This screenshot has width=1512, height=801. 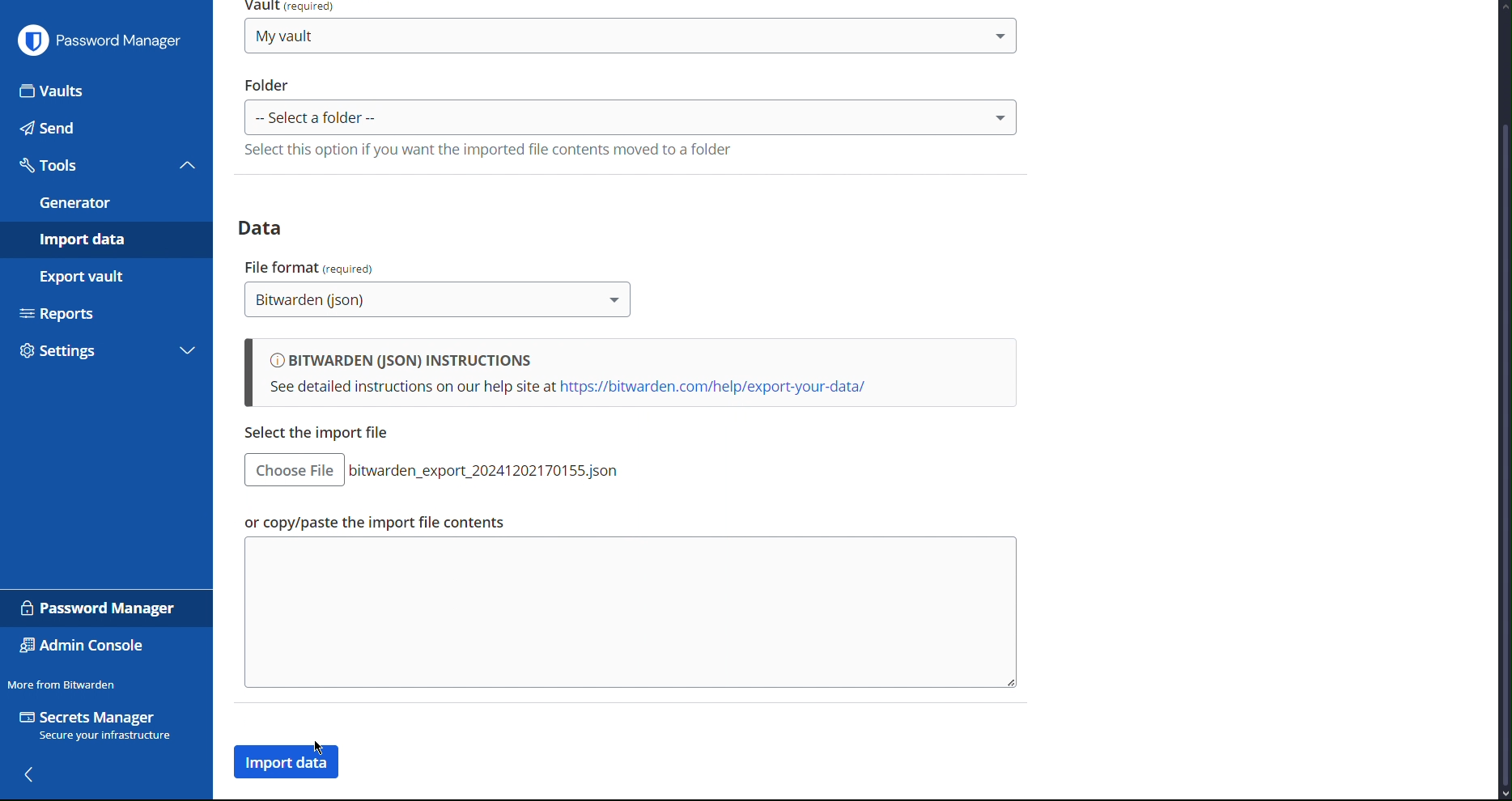 I want to click on file format, so click(x=312, y=265).